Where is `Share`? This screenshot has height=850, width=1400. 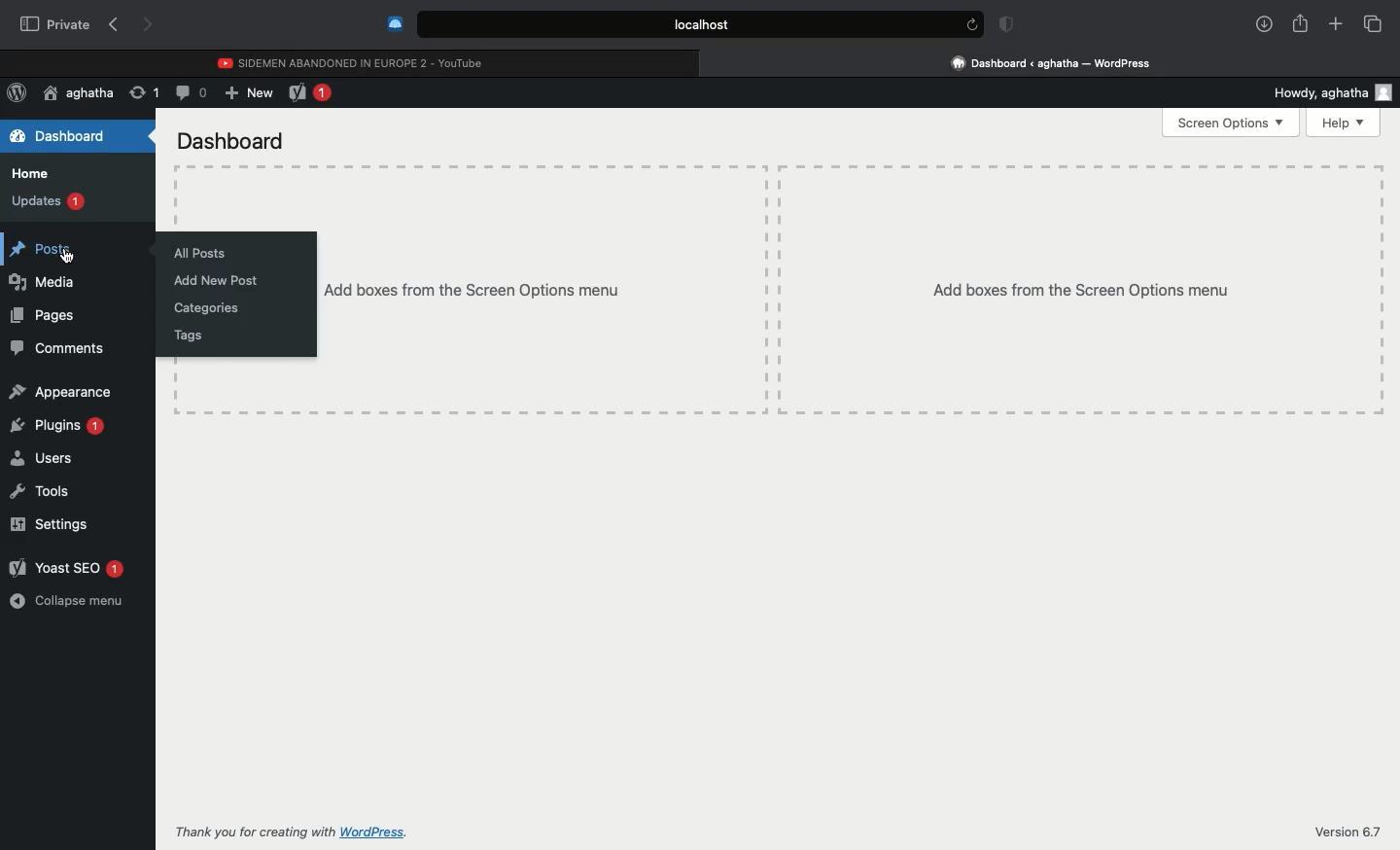 Share is located at coordinates (1300, 21).